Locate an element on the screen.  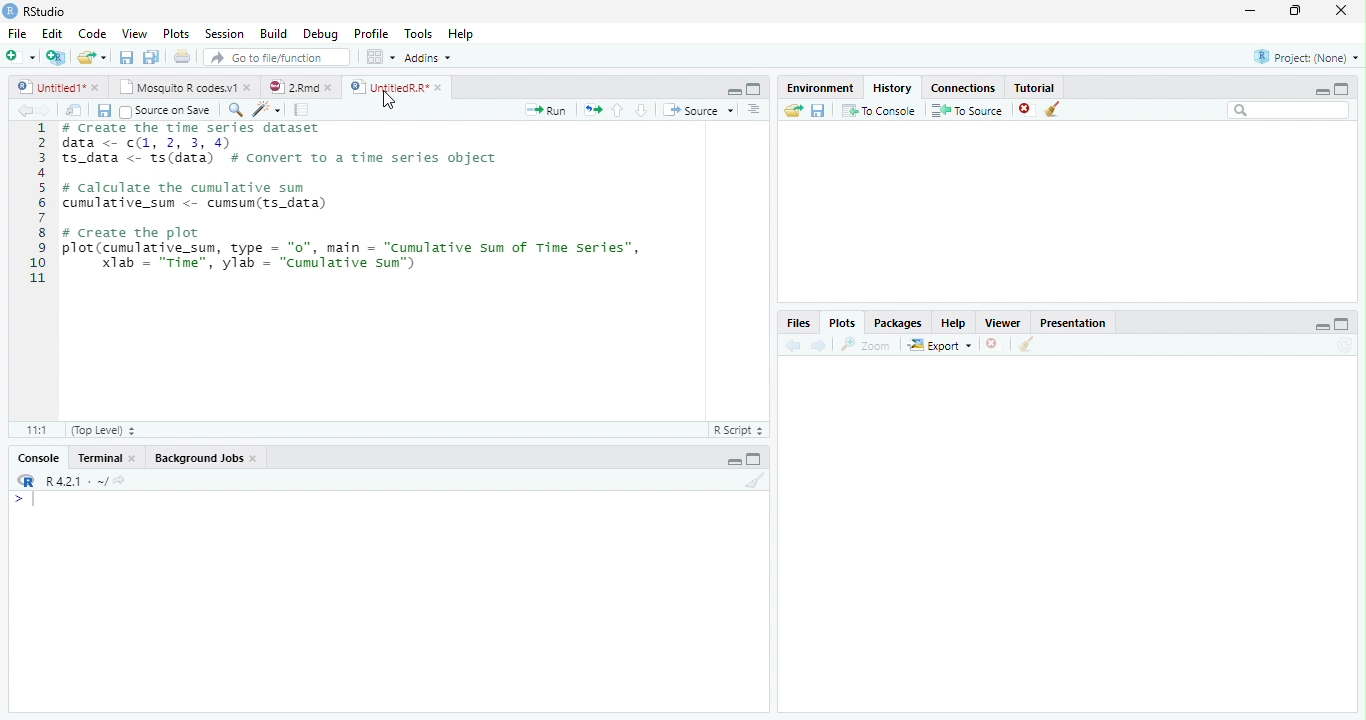
View is located at coordinates (134, 33).